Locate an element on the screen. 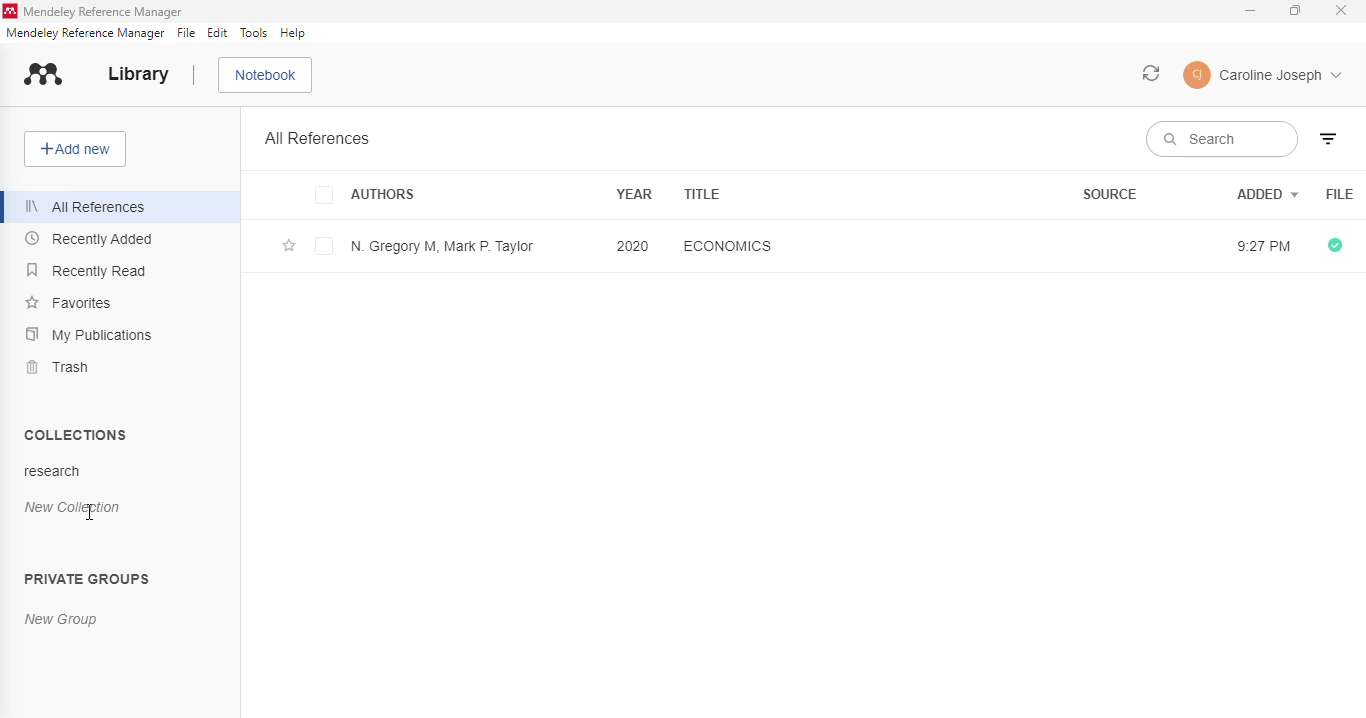  minimize is located at coordinates (1251, 11).